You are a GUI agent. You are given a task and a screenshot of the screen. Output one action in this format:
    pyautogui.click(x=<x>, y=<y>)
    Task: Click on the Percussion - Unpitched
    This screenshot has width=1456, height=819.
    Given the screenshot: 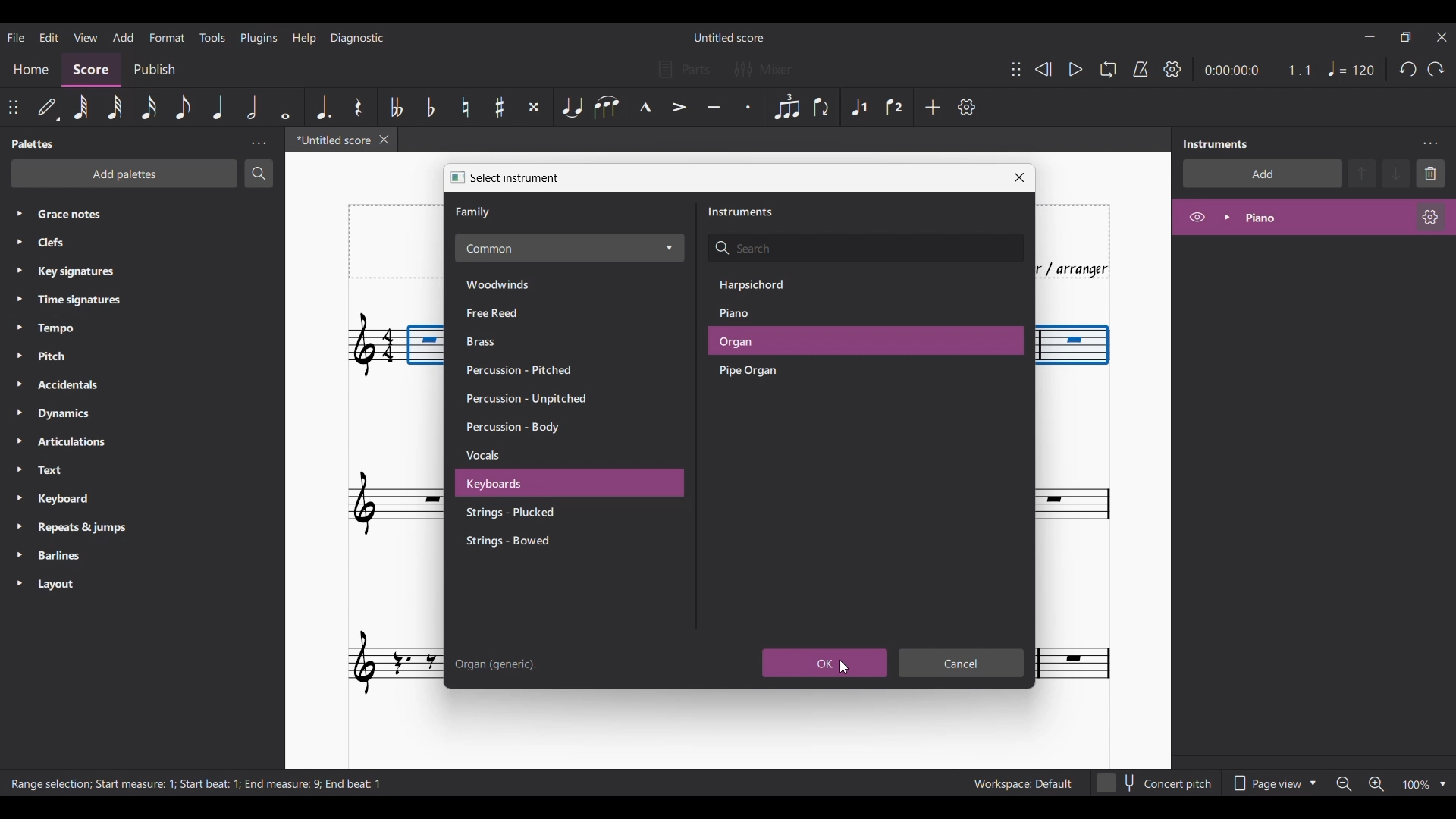 What is the action you would take?
    pyautogui.click(x=532, y=400)
    